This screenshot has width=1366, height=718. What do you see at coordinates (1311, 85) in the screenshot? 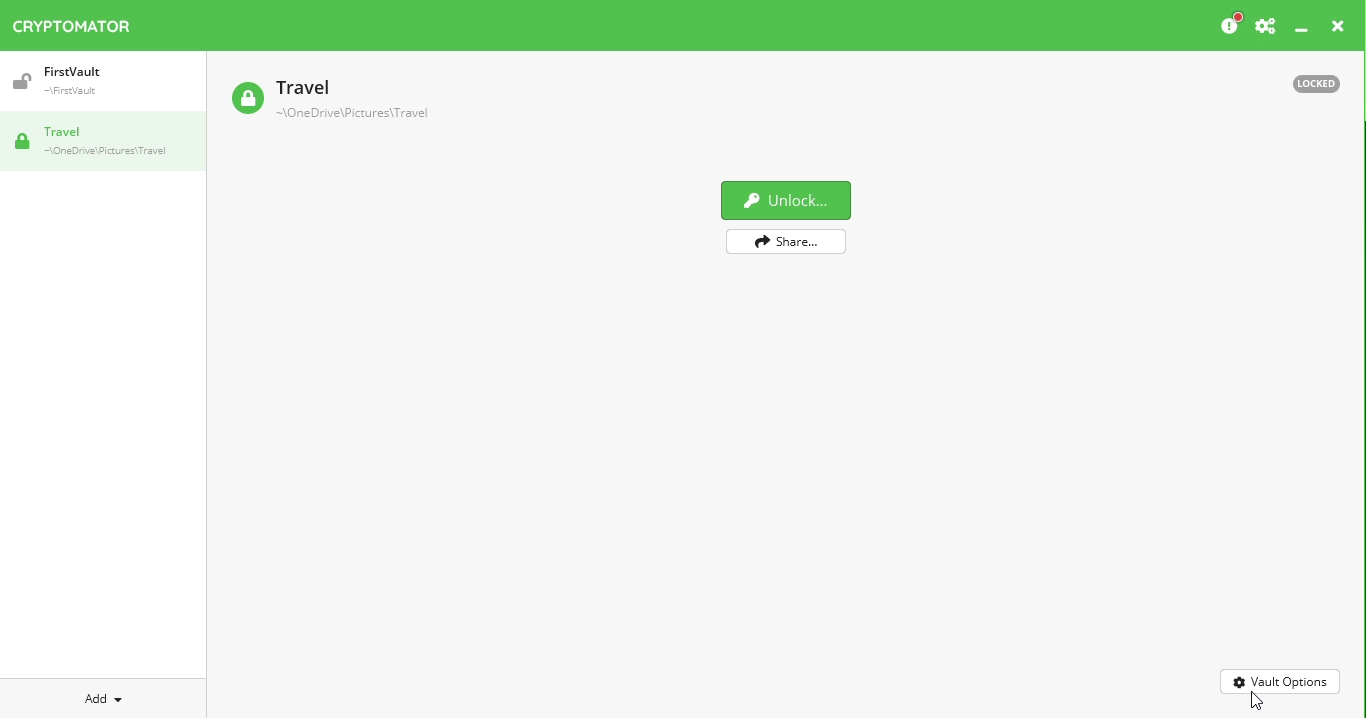
I see `Locked` at bounding box center [1311, 85].